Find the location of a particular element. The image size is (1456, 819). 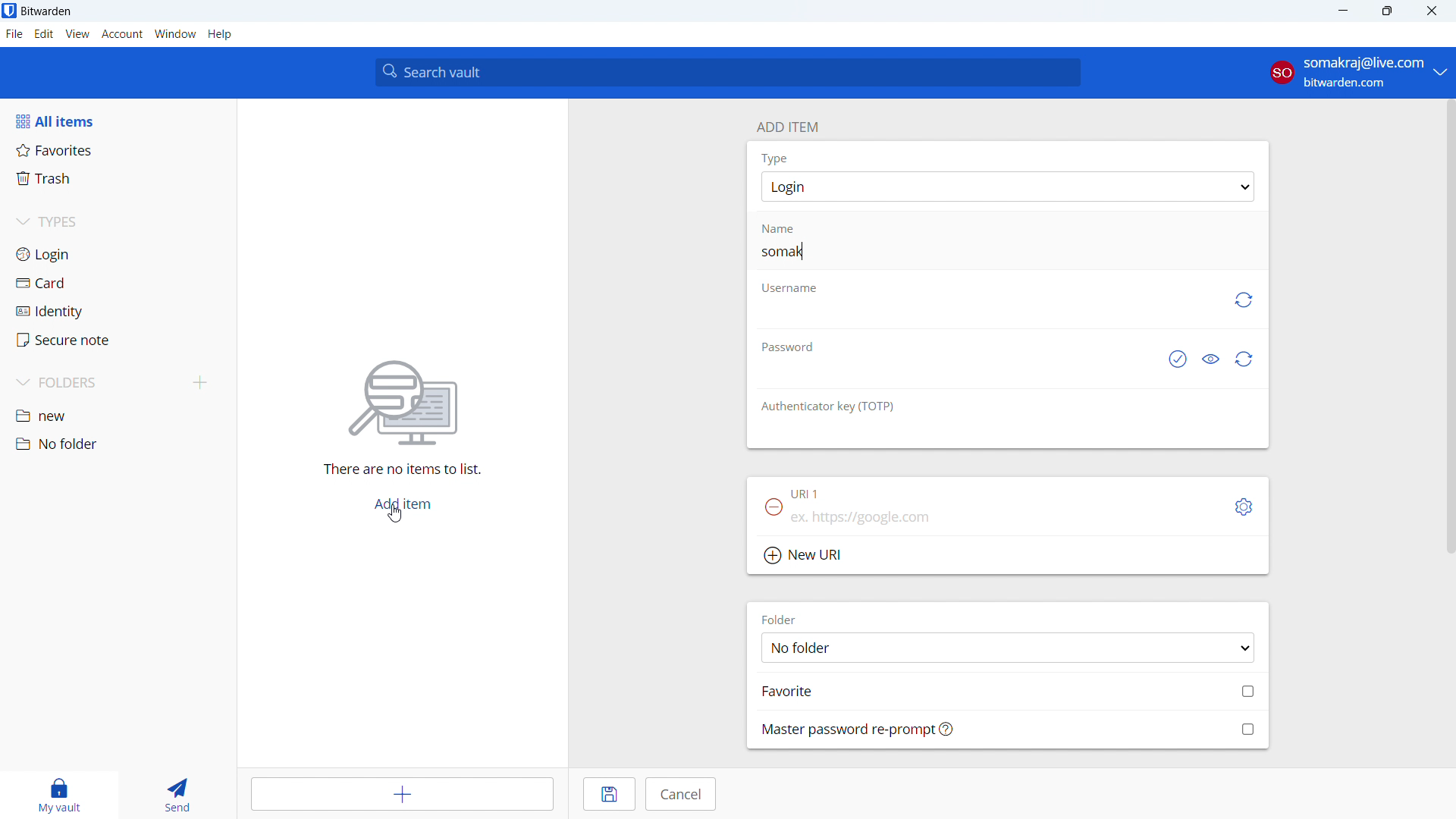

login is located at coordinates (118, 254).